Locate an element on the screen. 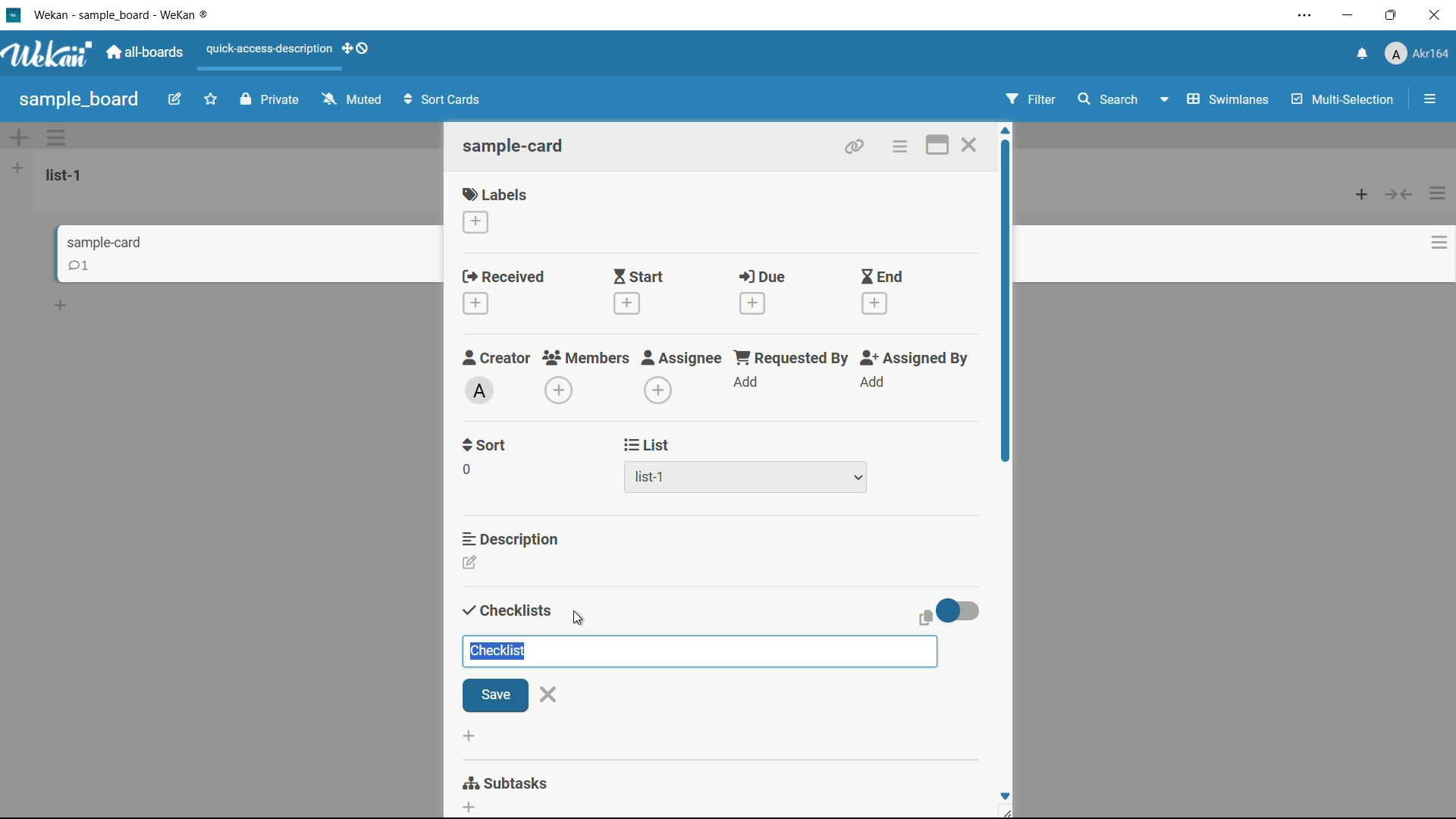 Image resolution: width=1456 pixels, height=819 pixels. Scroll down is located at coordinates (1005, 795).